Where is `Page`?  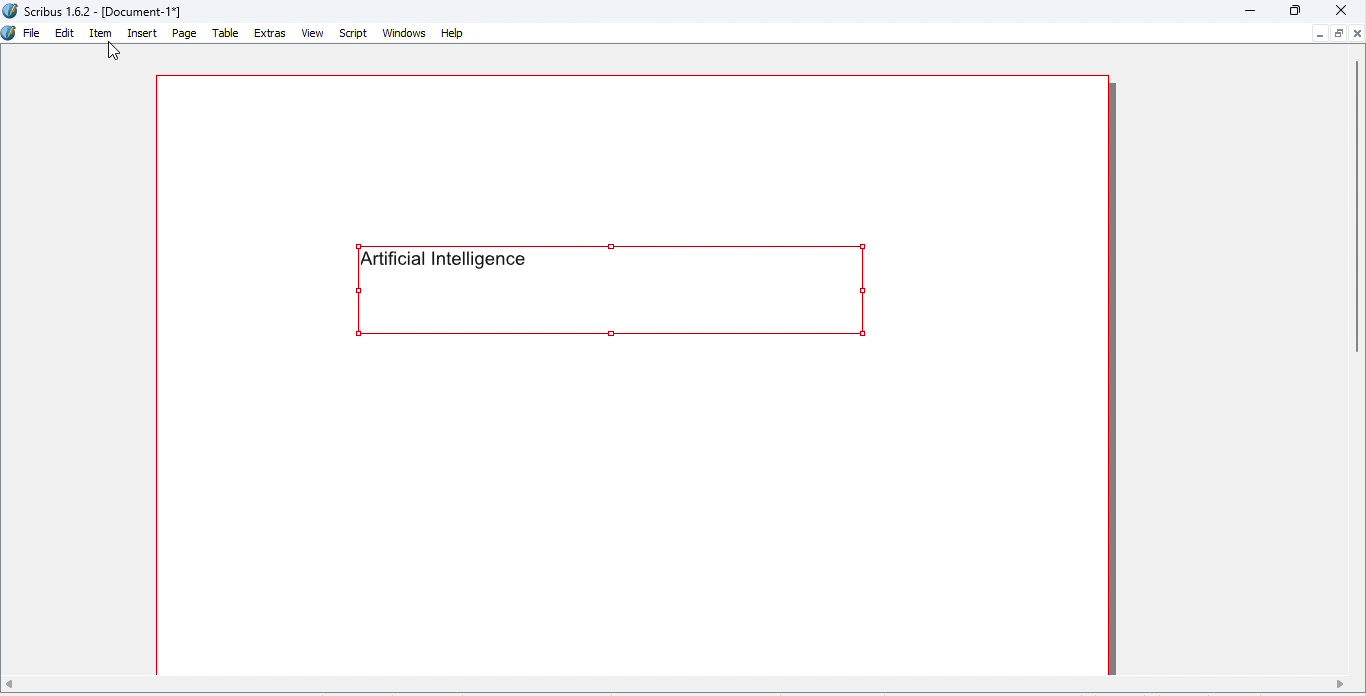
Page is located at coordinates (188, 34).